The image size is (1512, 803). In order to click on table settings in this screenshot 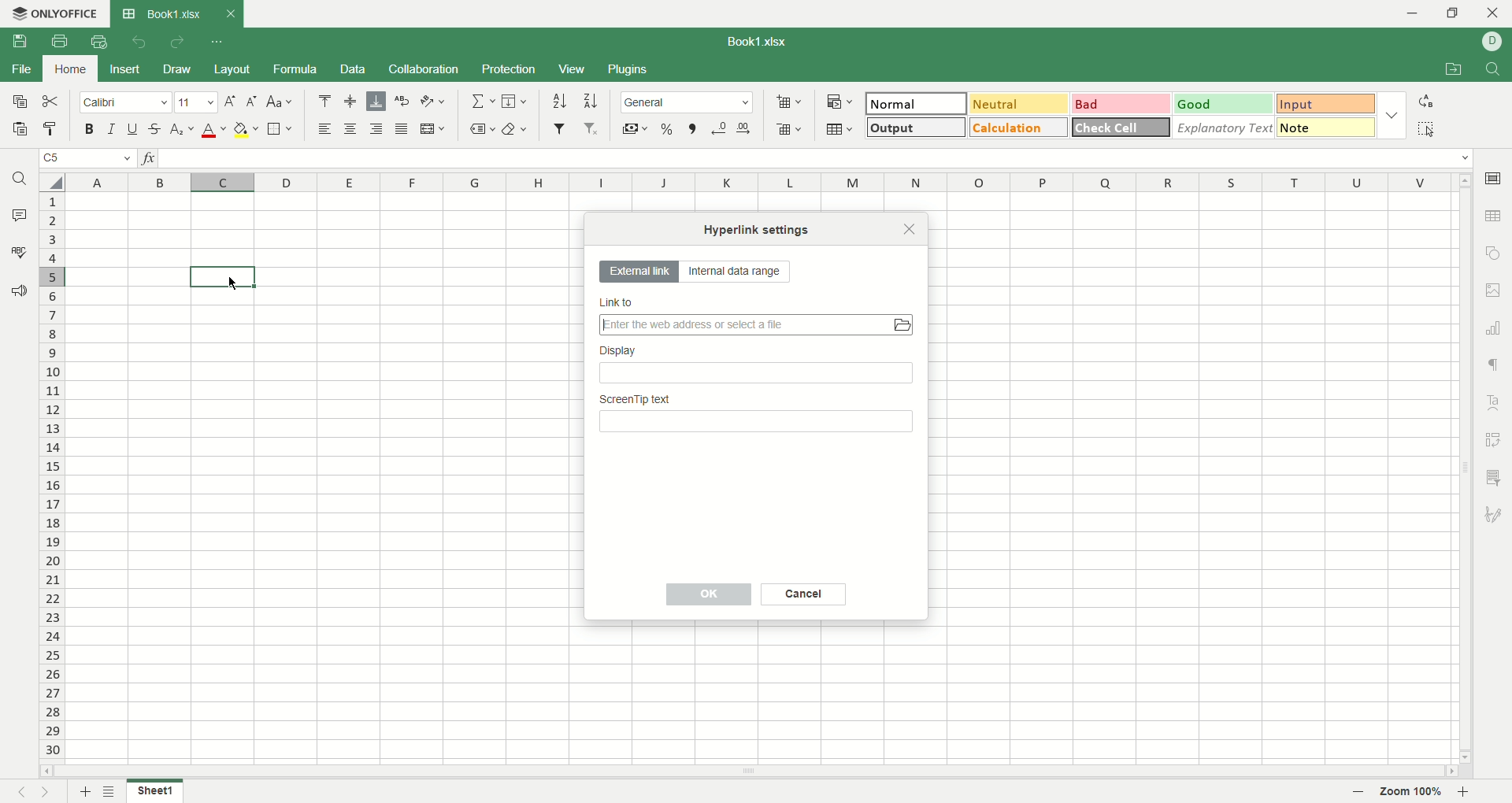, I will do `click(1495, 217)`.